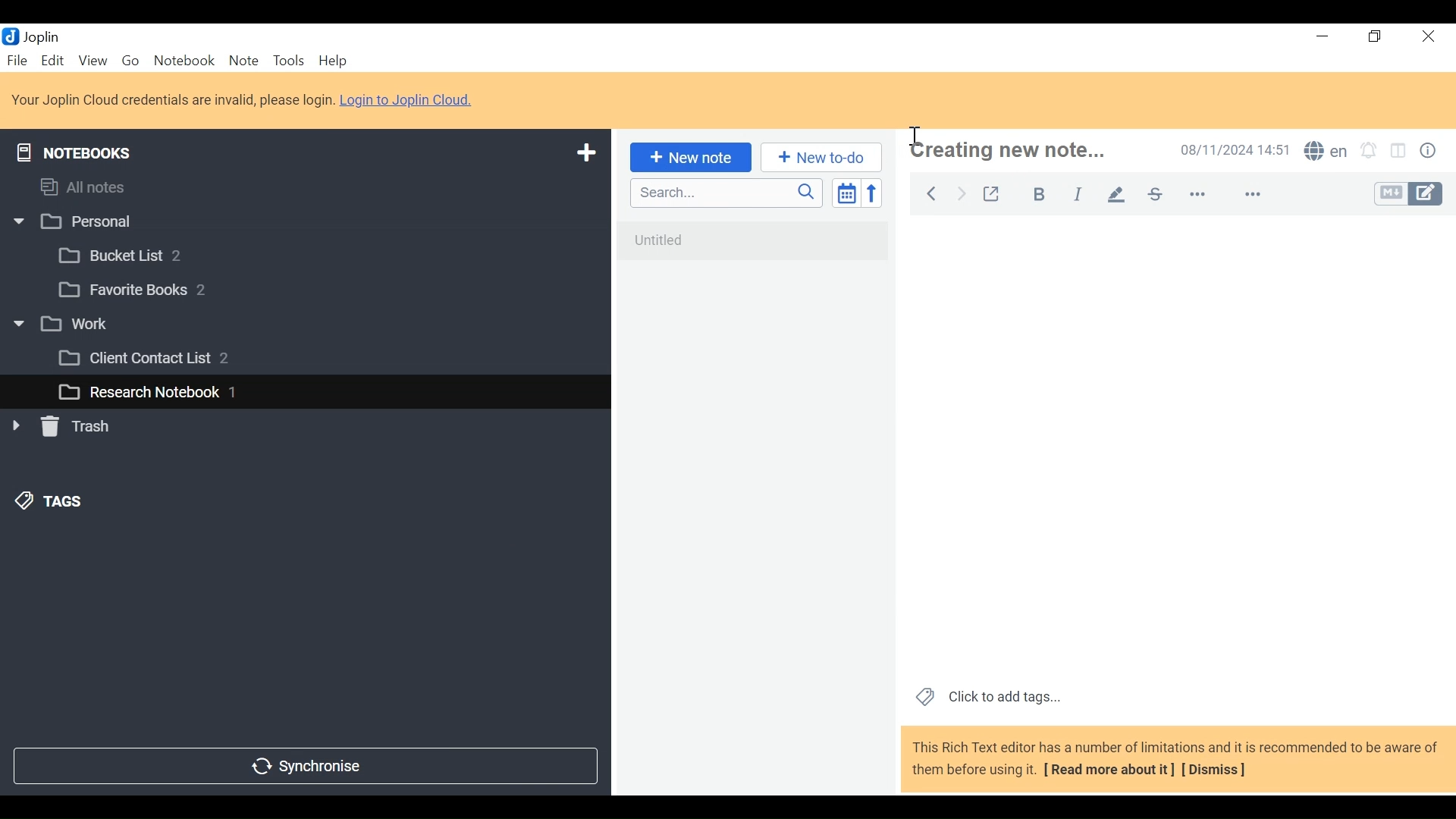 This screenshot has width=1456, height=819. Describe the element at coordinates (585, 153) in the screenshot. I see `Add New Notebook` at that location.